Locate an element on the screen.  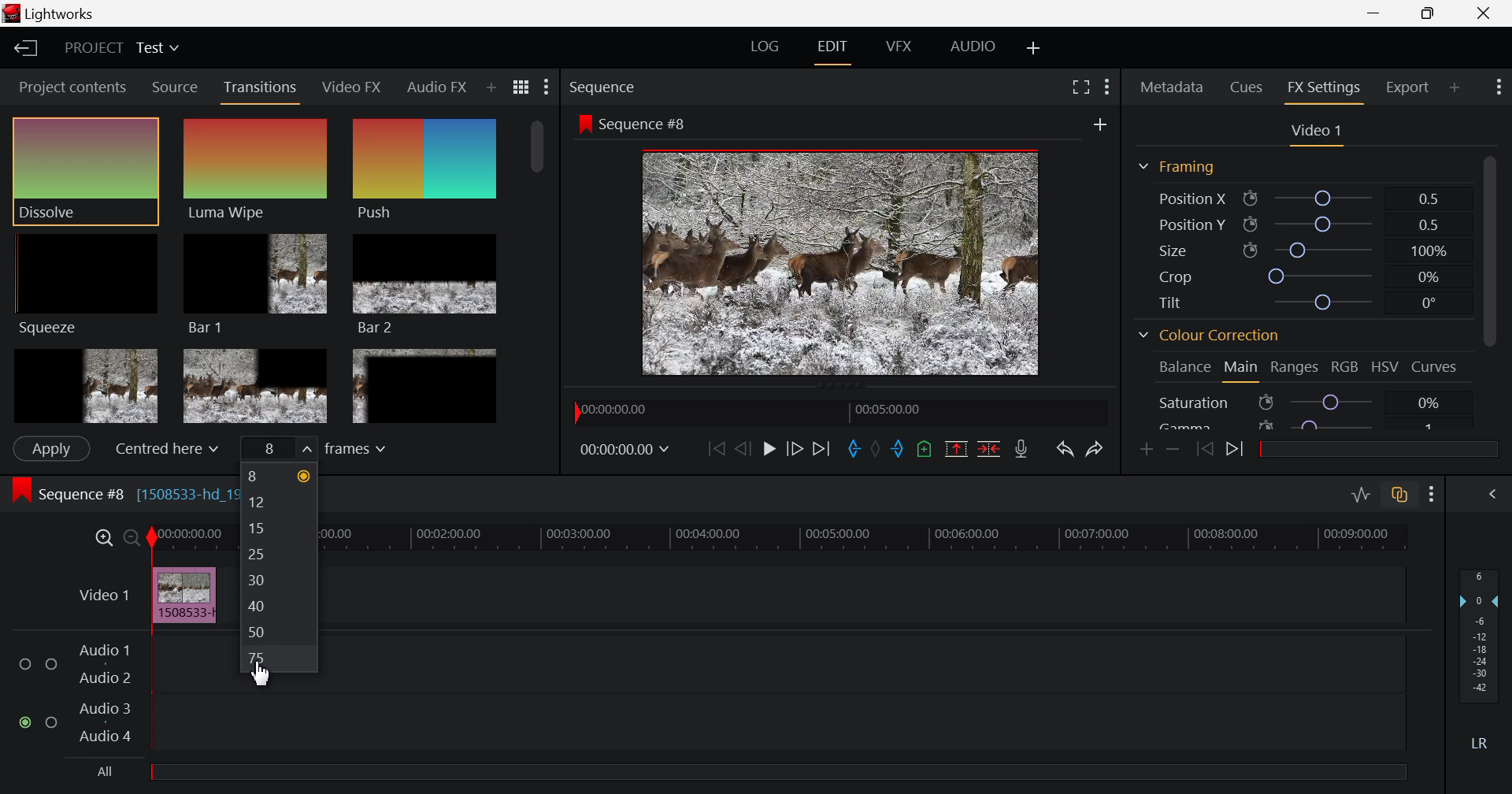
Window Title is located at coordinates (47, 13).